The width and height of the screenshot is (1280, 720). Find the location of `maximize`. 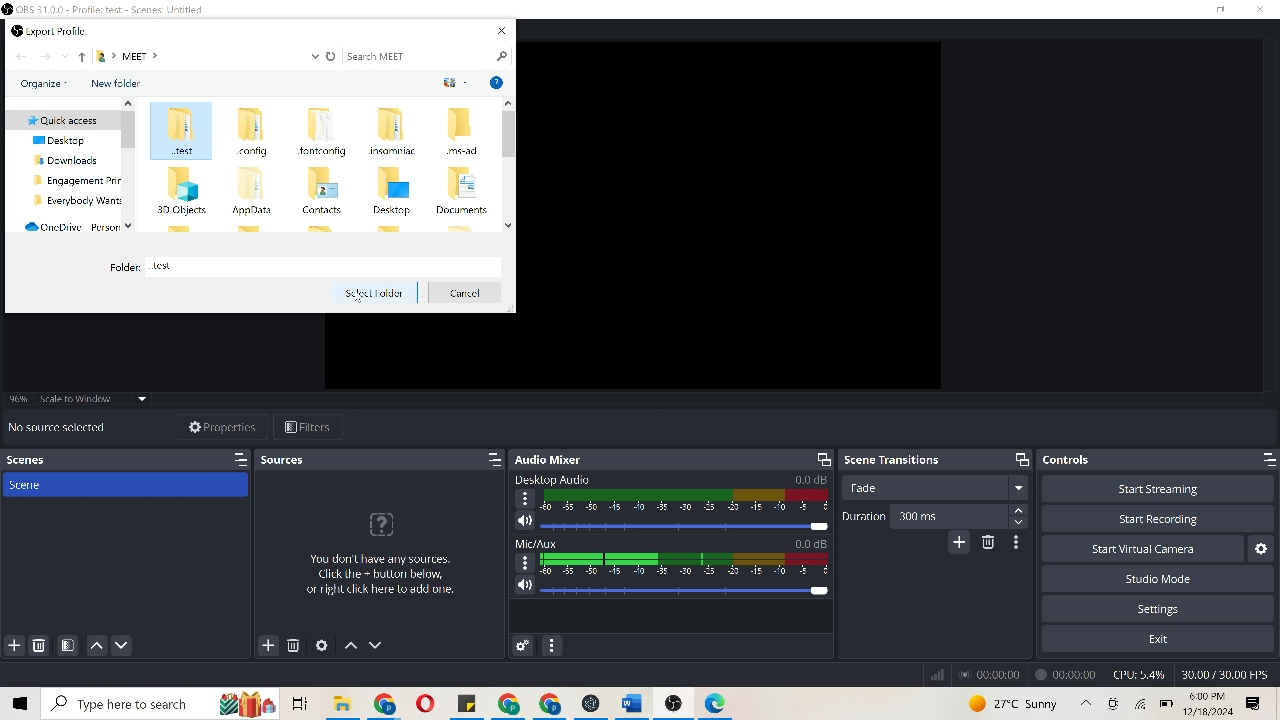

maximize is located at coordinates (1020, 458).